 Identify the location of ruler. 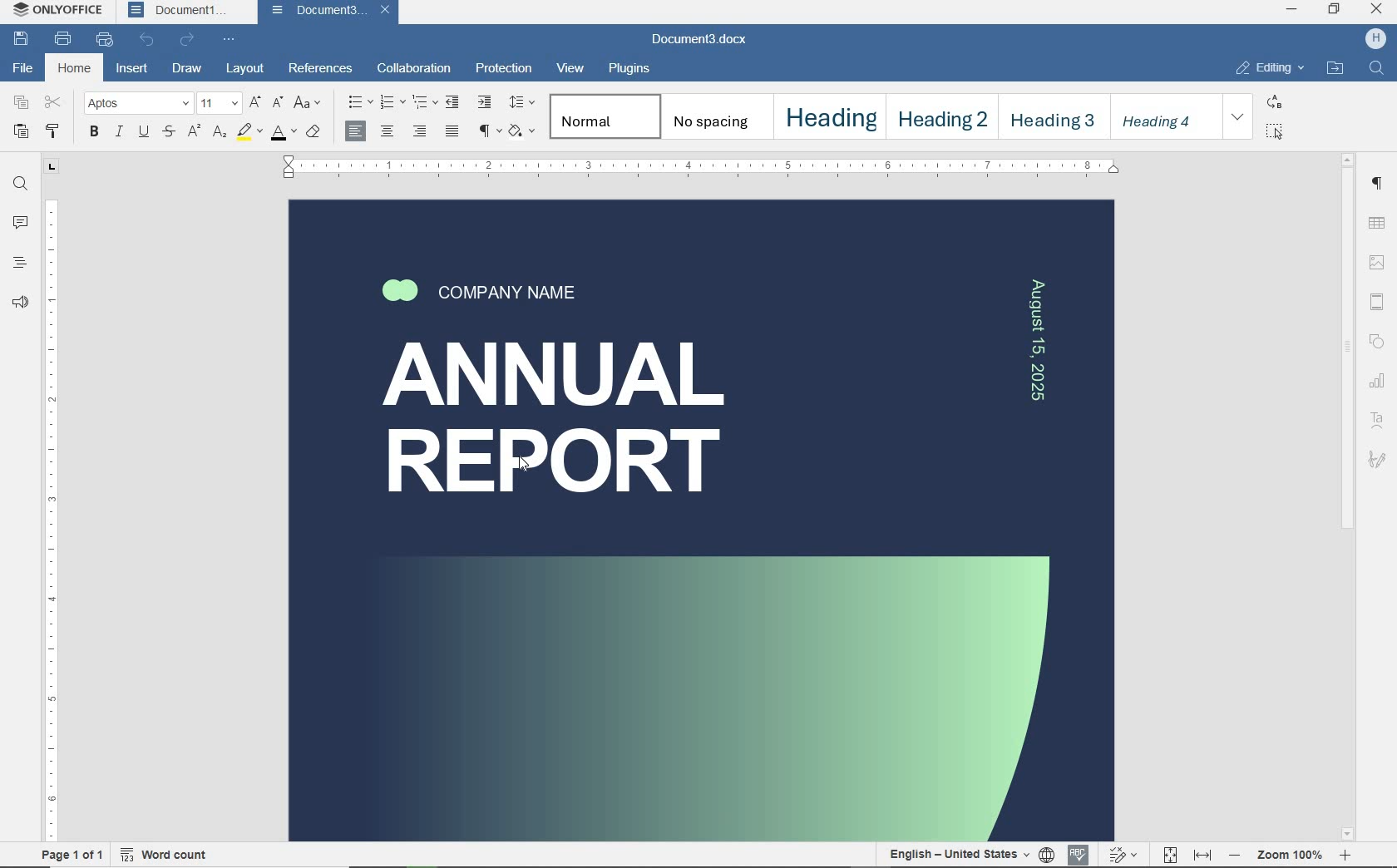
(700, 166).